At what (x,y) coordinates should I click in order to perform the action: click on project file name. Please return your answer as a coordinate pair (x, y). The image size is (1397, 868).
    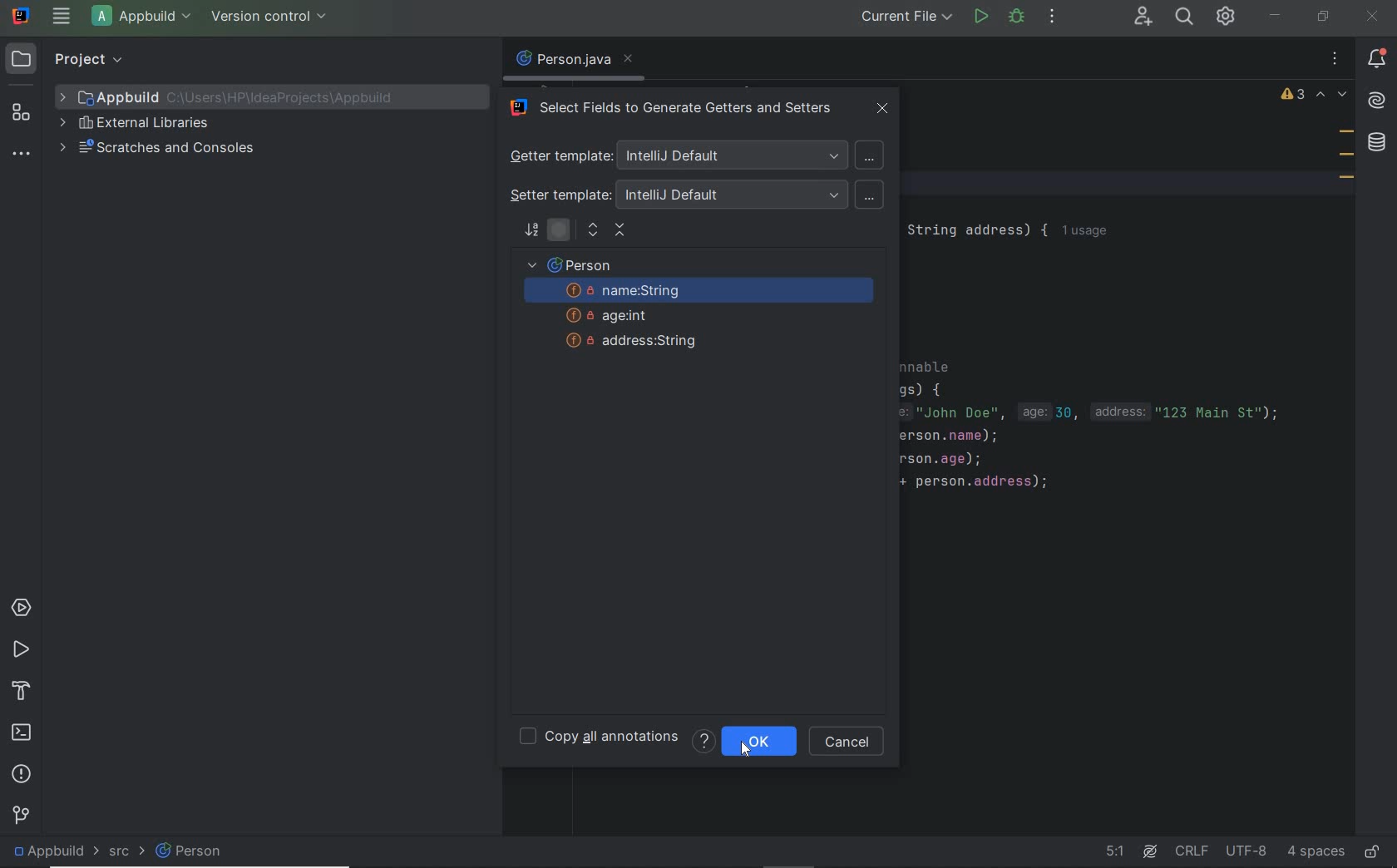
    Looking at the image, I should click on (240, 96).